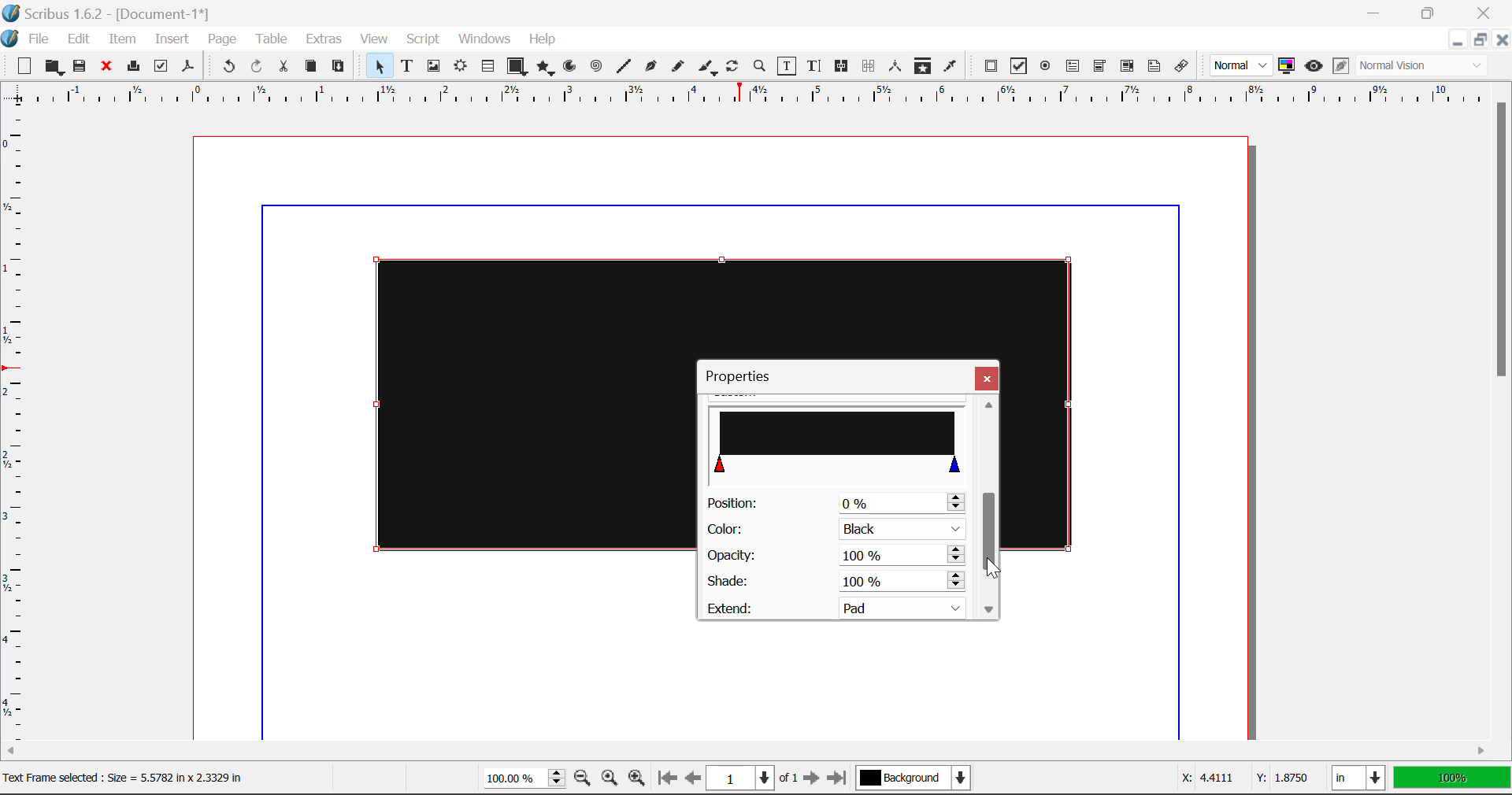  I want to click on Measurement Units, so click(1360, 780).